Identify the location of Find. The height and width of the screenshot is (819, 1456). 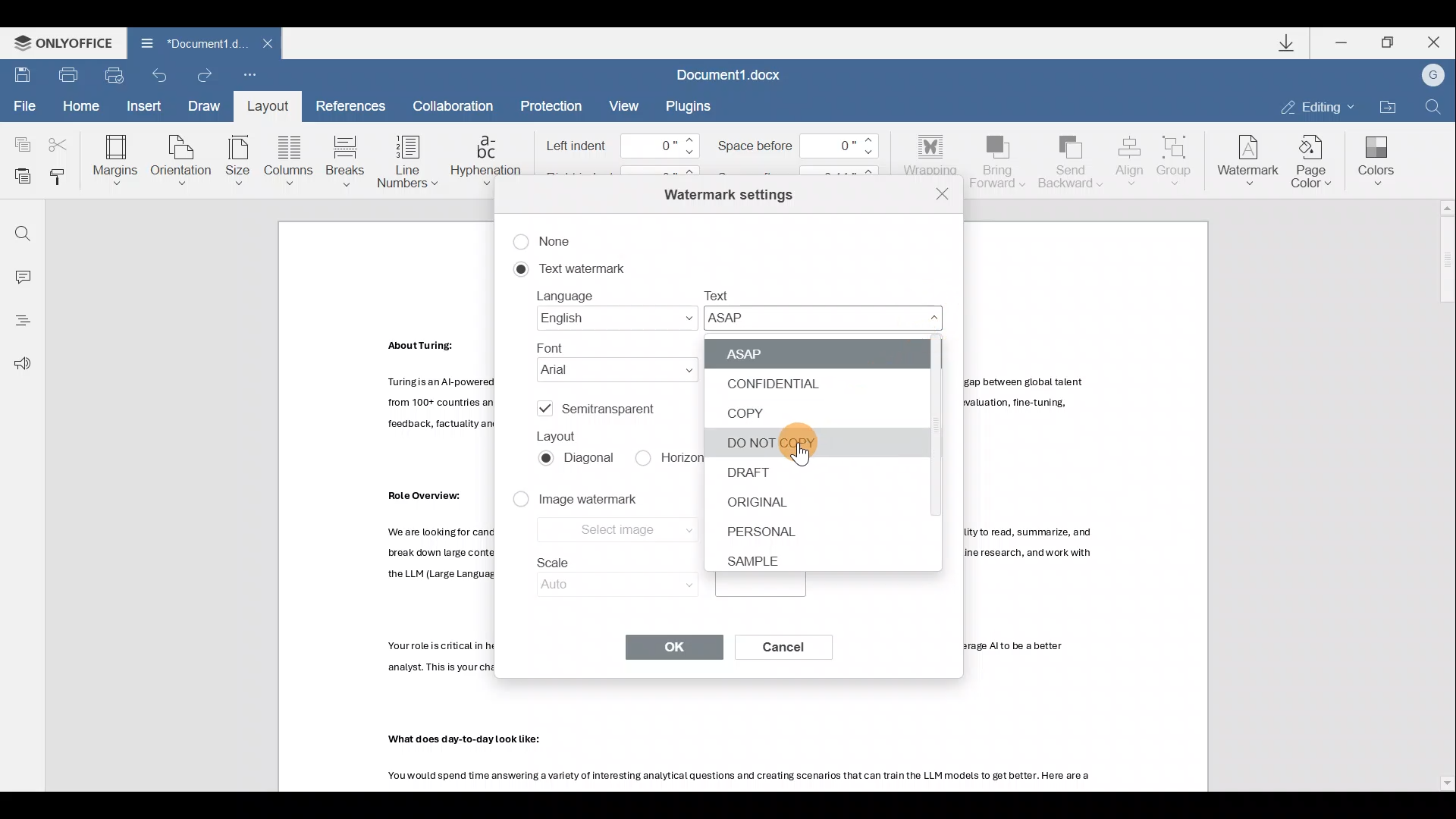
(21, 229).